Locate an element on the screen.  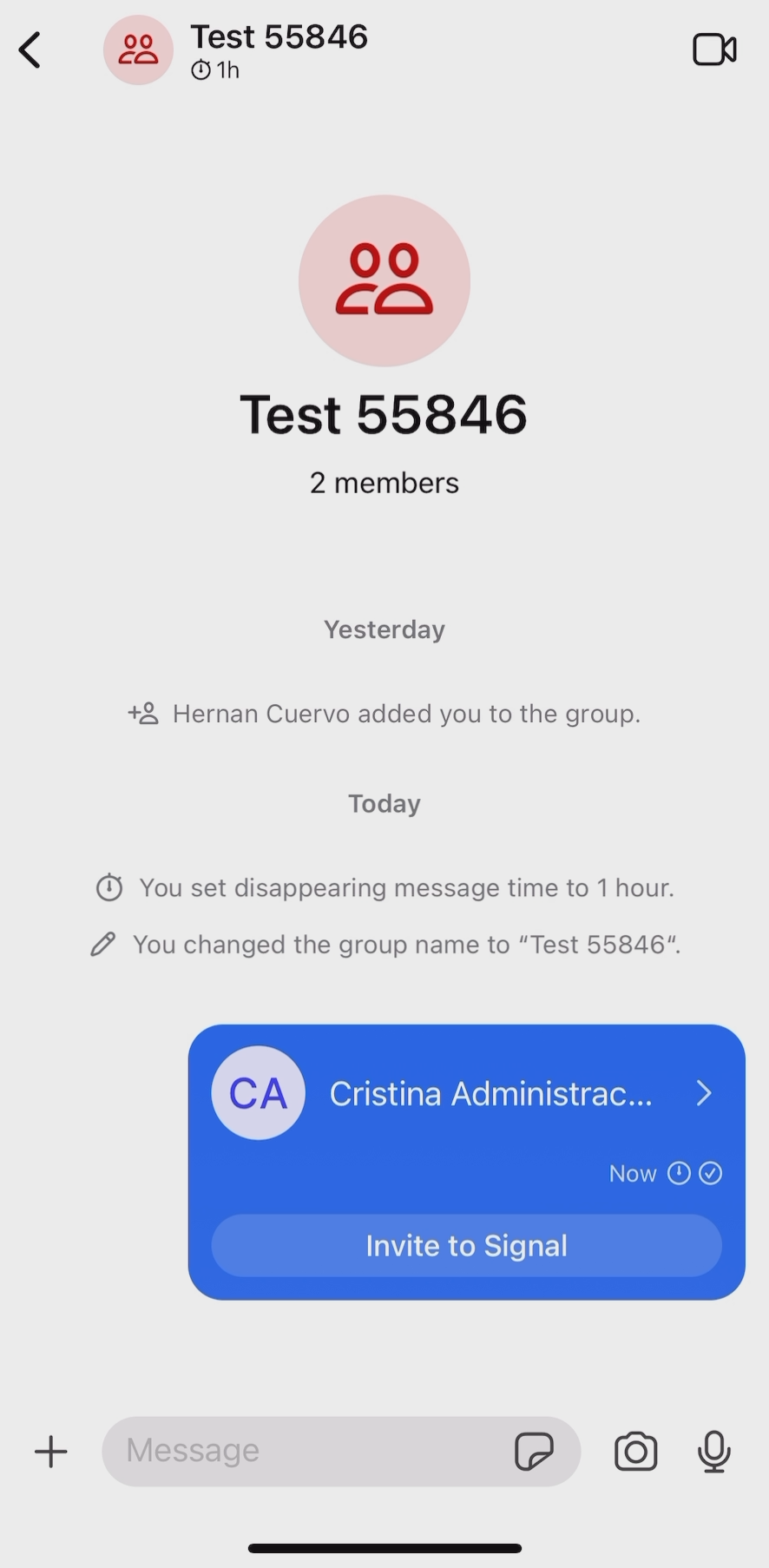
back is located at coordinates (30, 57).